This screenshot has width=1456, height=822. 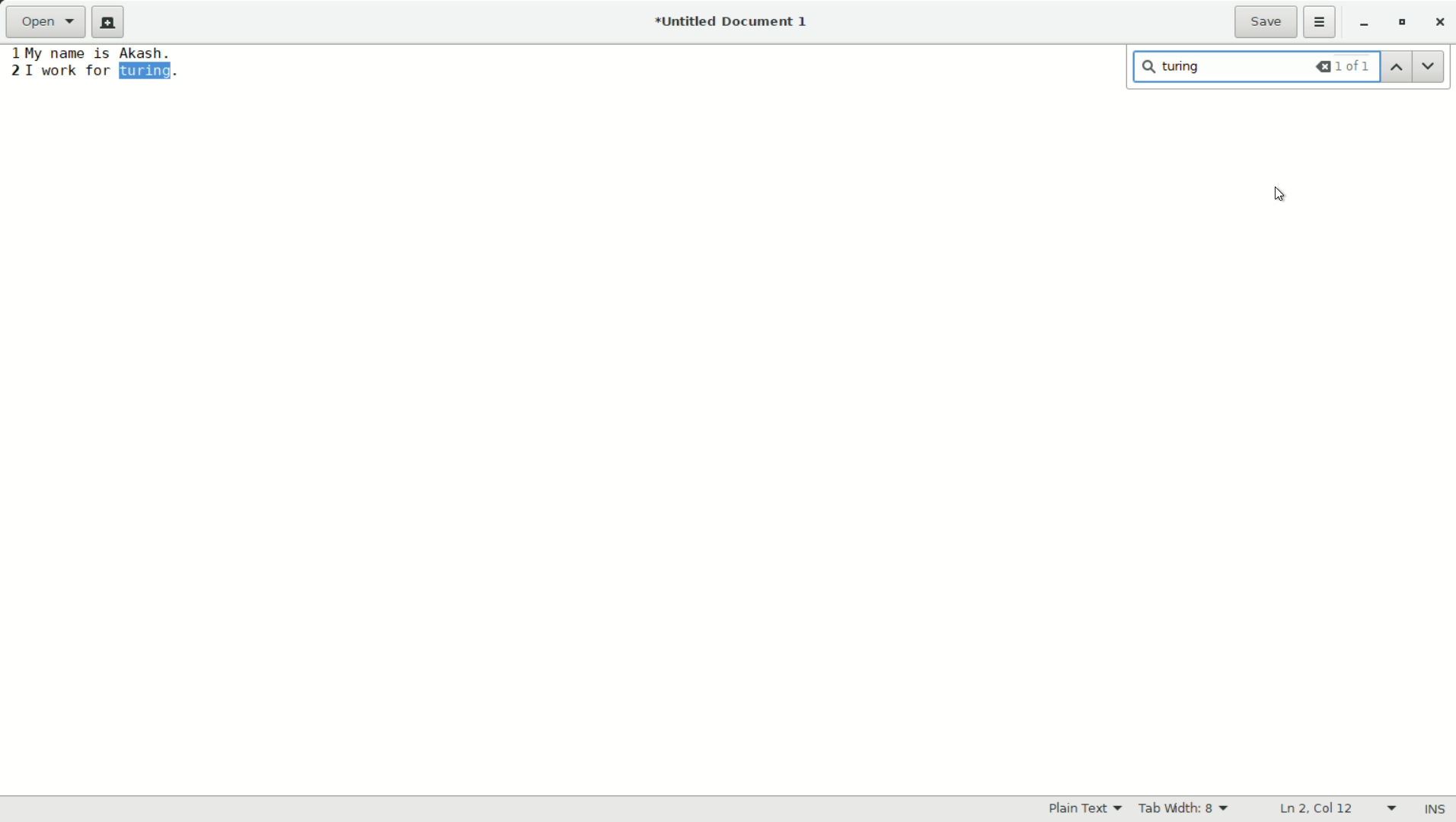 I want to click on cursor, so click(x=1278, y=193).